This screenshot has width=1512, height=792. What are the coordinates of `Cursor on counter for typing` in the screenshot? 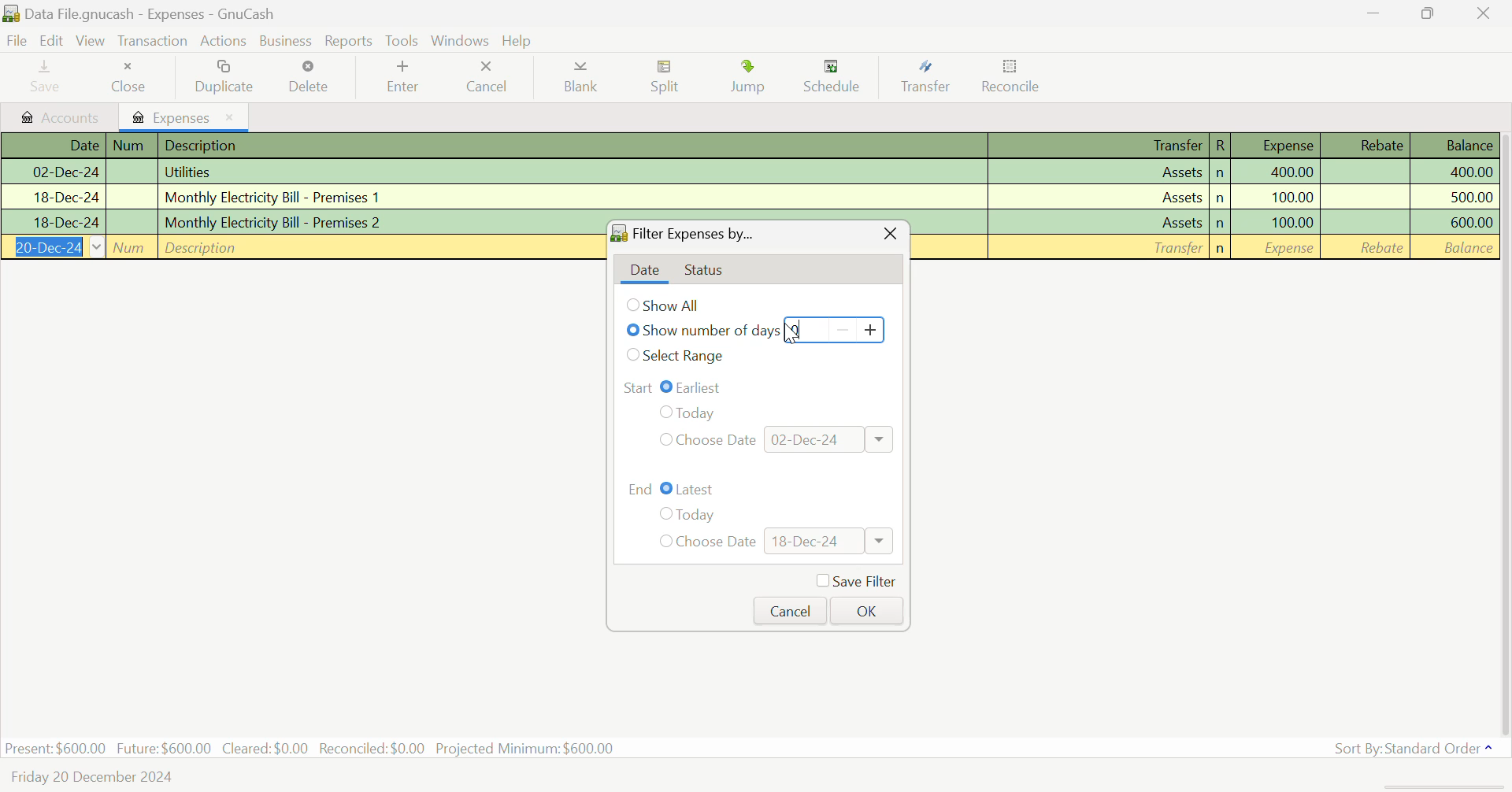 It's located at (795, 328).